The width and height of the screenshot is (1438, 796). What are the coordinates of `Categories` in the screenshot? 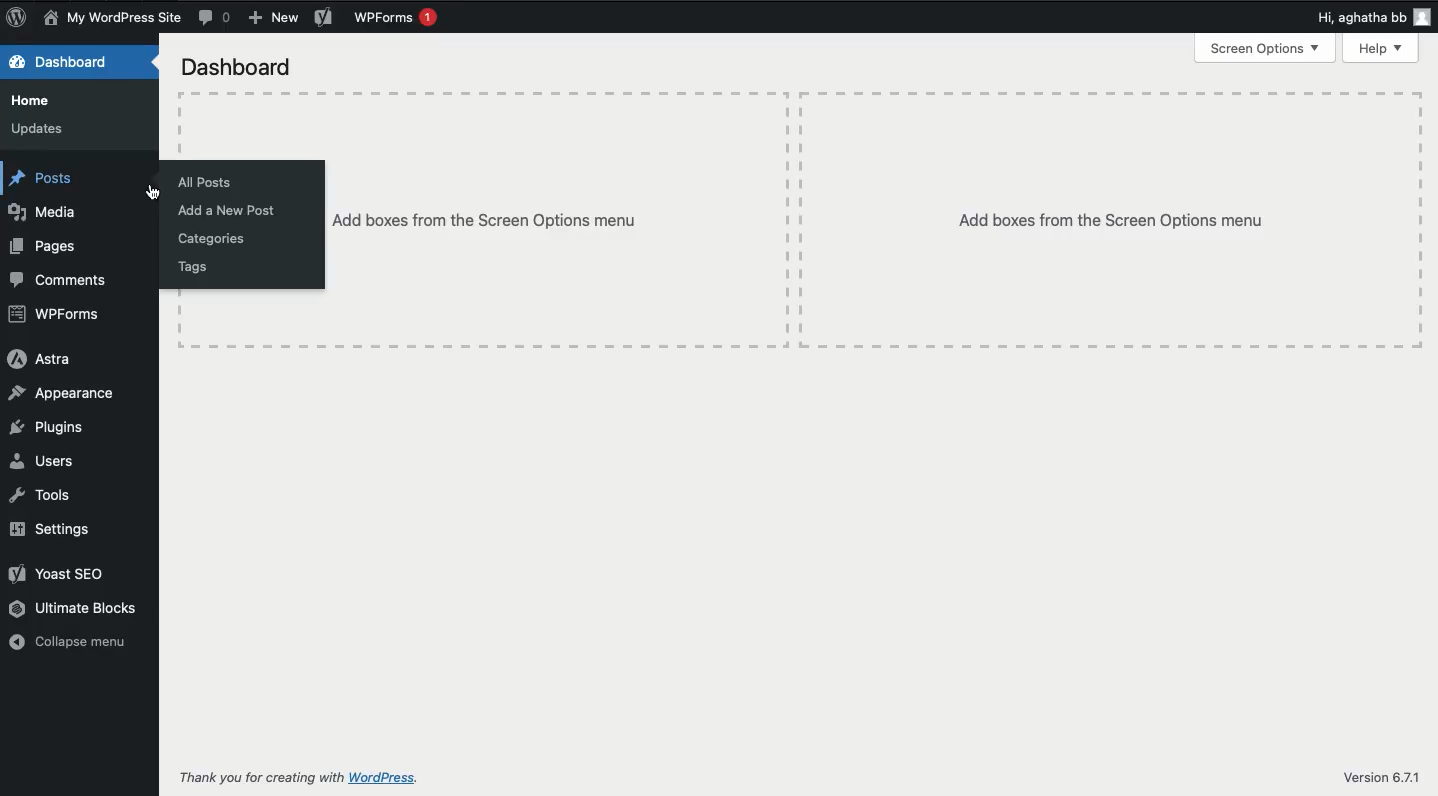 It's located at (221, 240).